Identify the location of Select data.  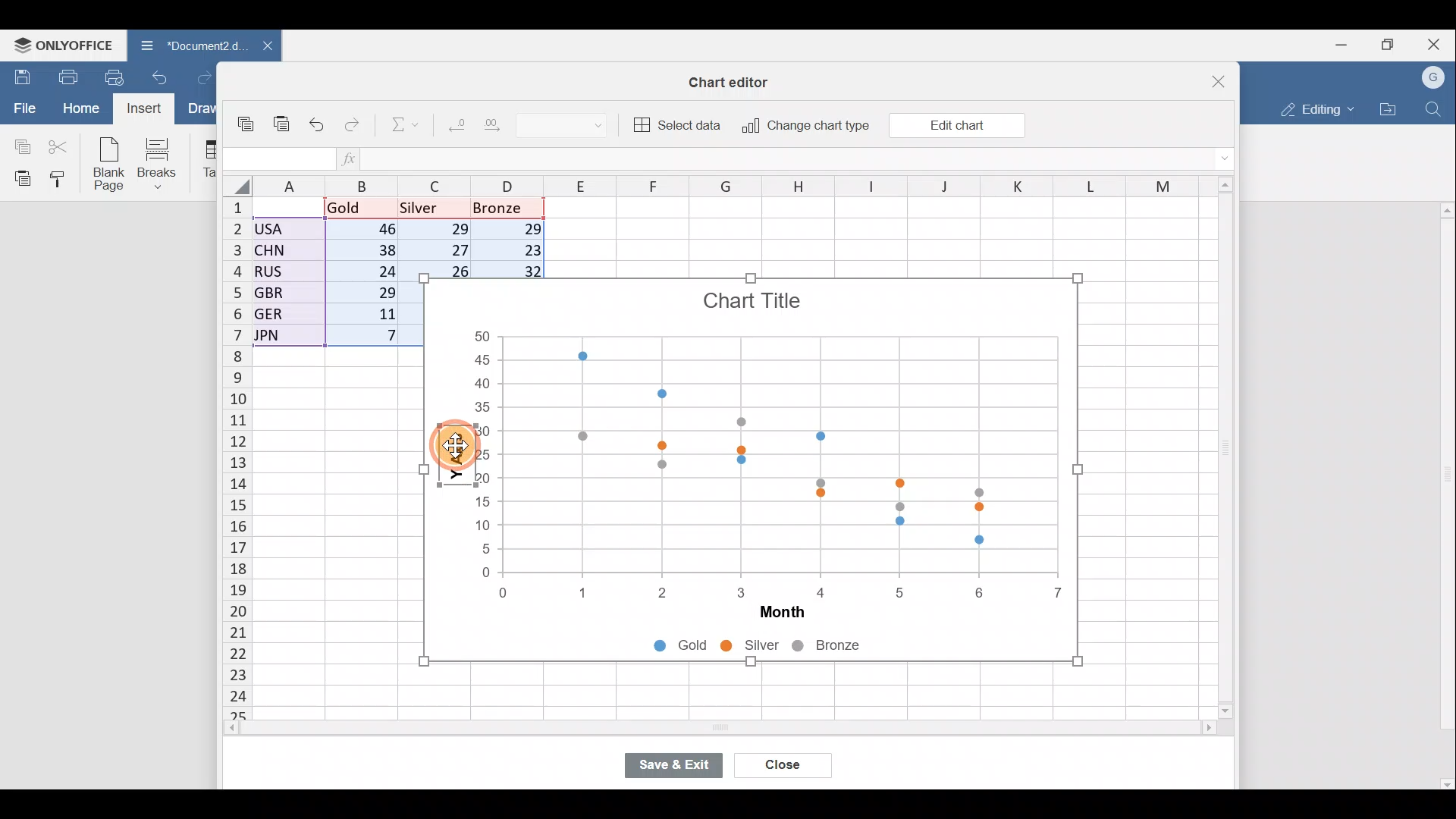
(679, 125).